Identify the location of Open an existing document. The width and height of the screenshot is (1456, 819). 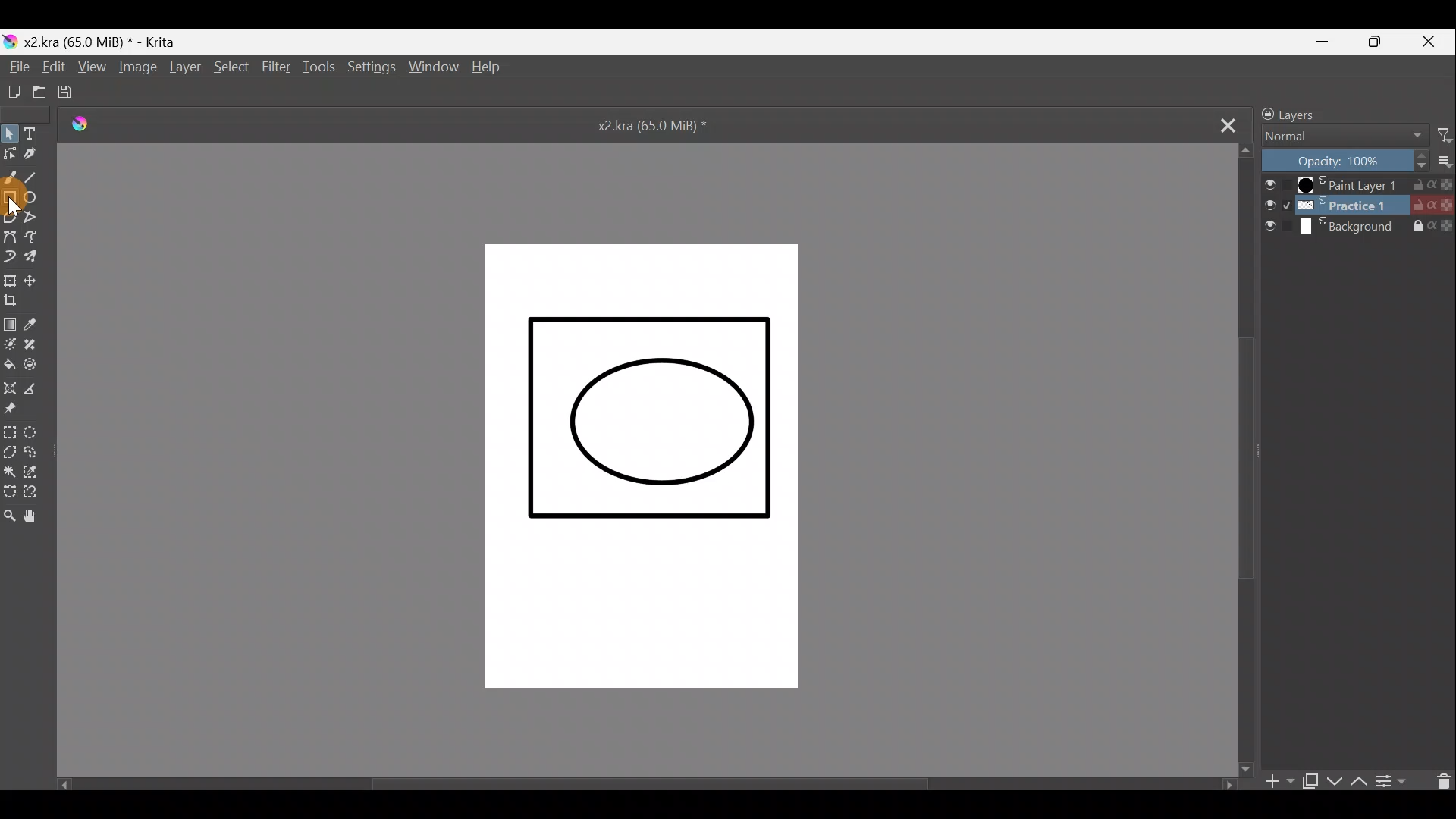
(38, 93).